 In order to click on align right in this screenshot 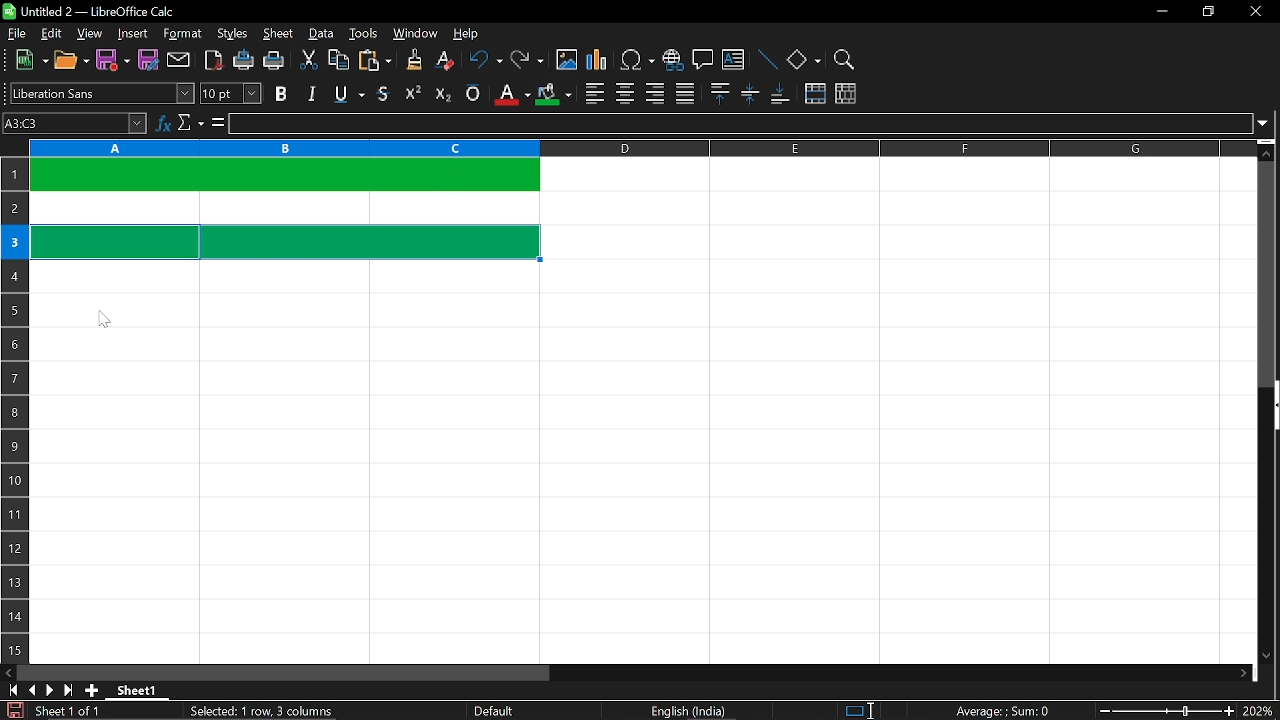, I will do `click(654, 94)`.